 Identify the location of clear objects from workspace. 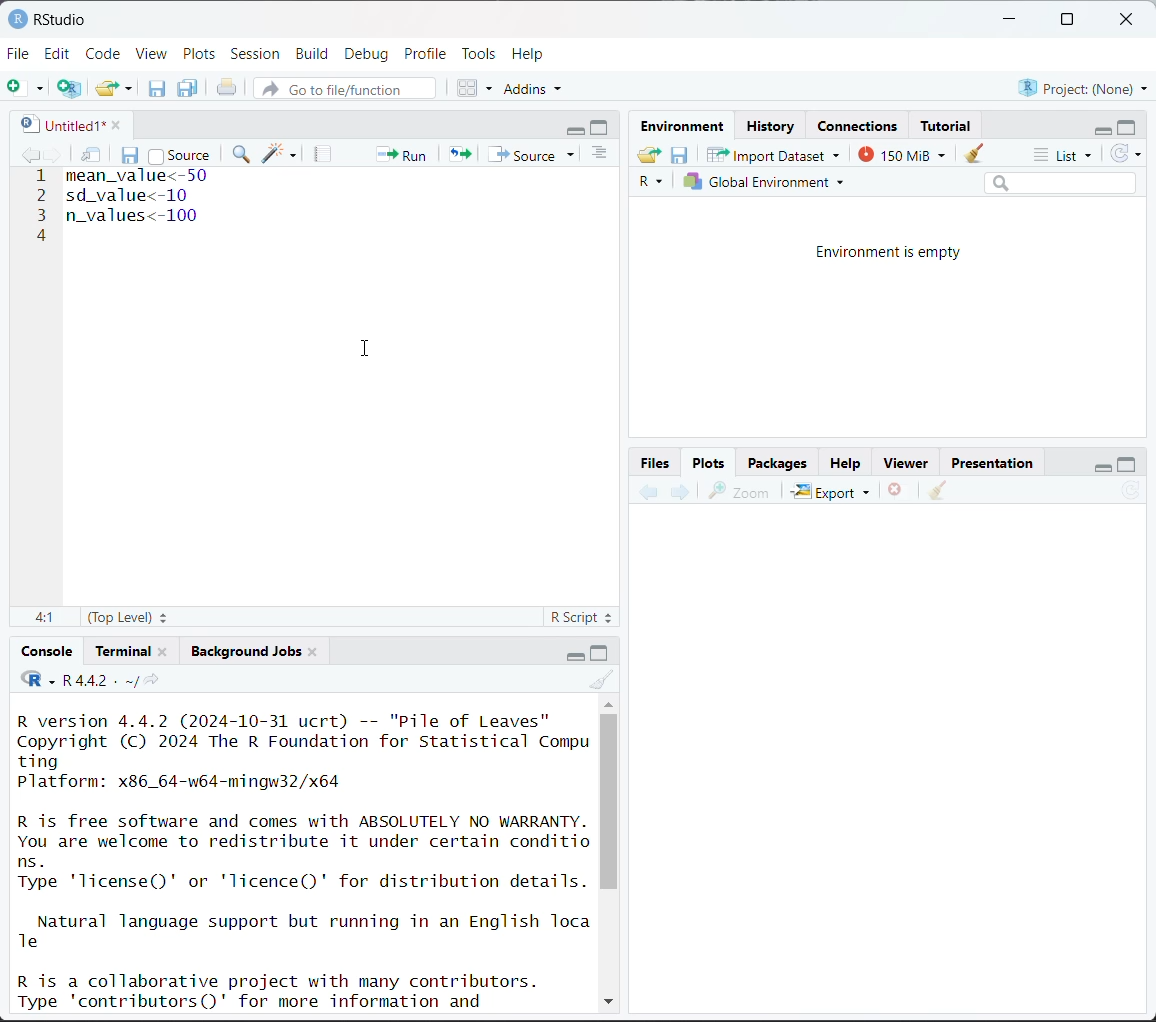
(969, 150).